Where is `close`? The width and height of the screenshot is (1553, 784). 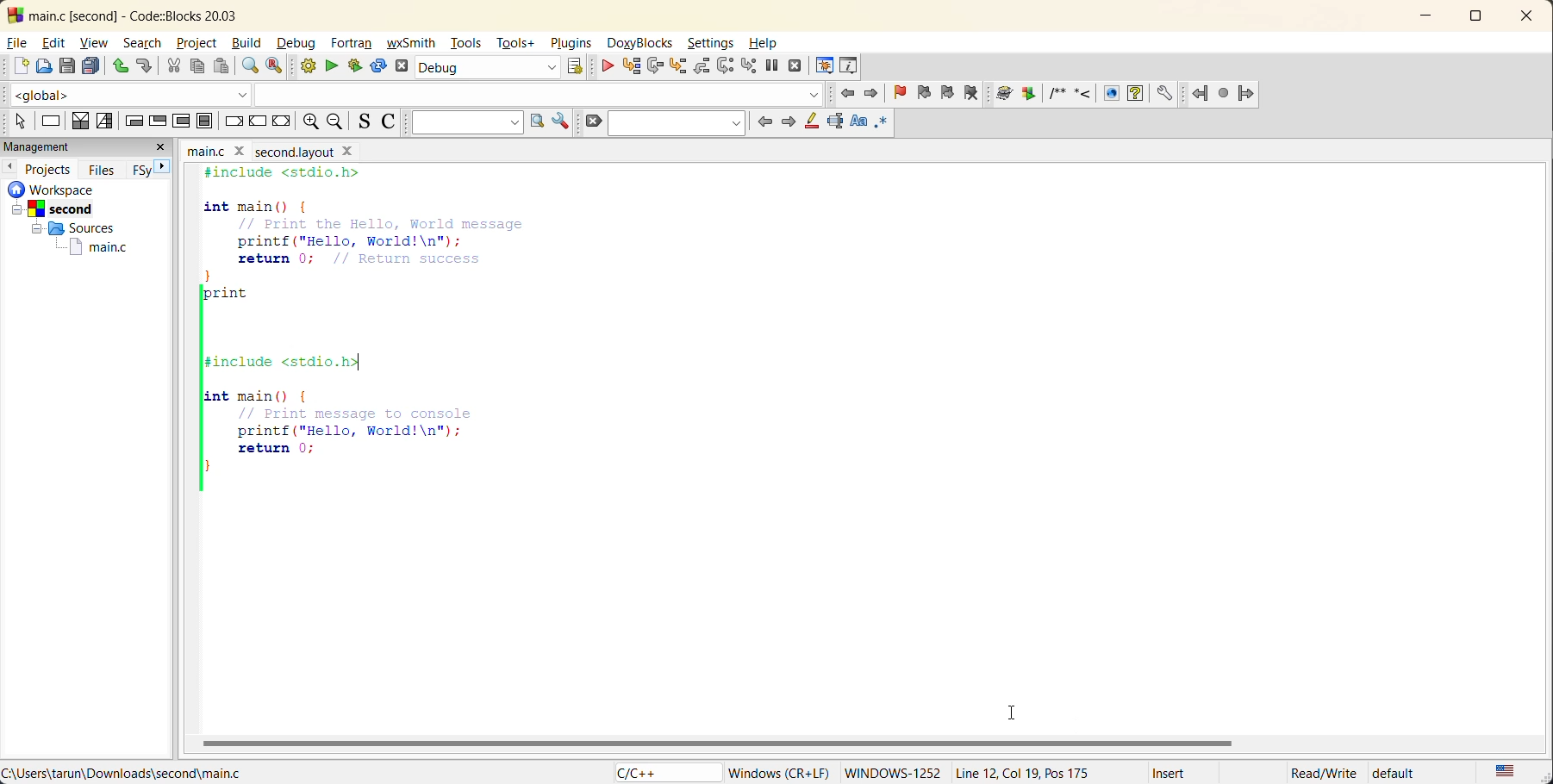
close is located at coordinates (164, 148).